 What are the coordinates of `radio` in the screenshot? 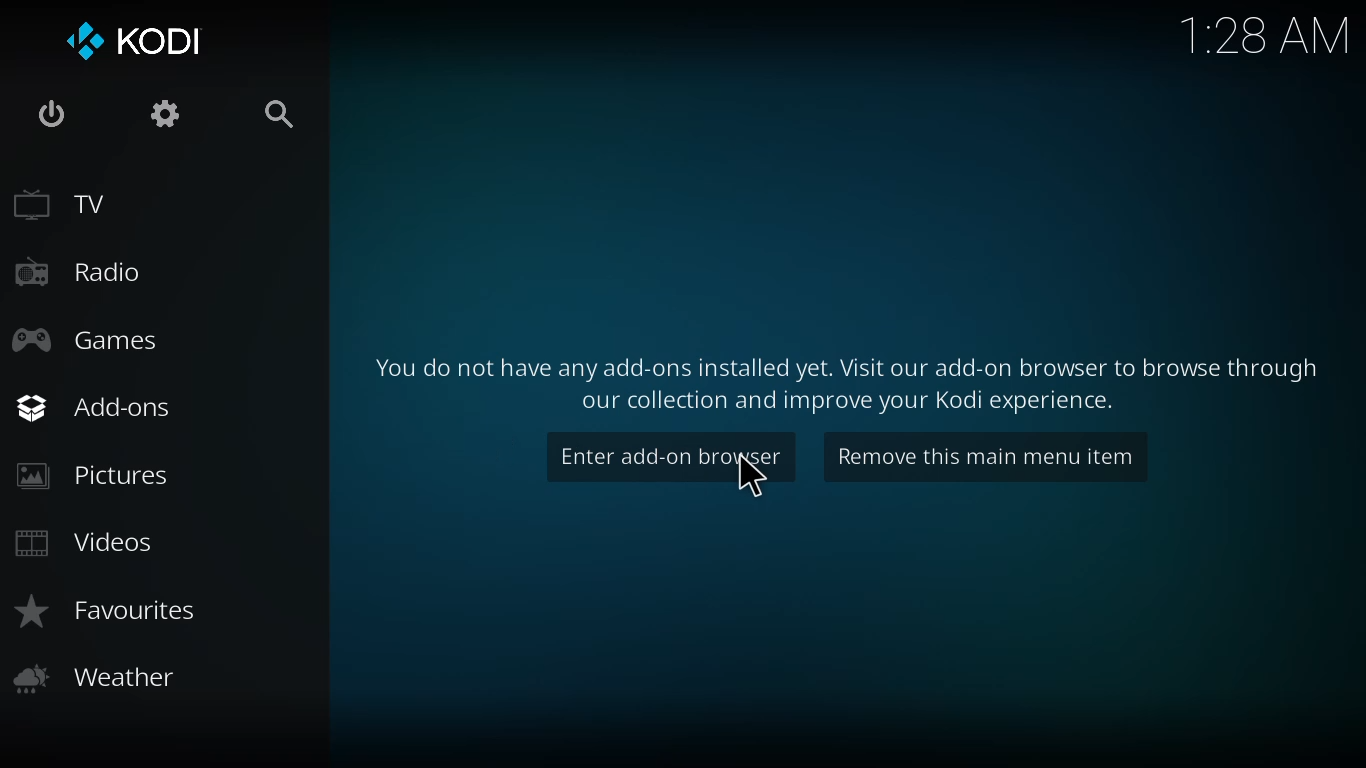 It's located at (79, 269).